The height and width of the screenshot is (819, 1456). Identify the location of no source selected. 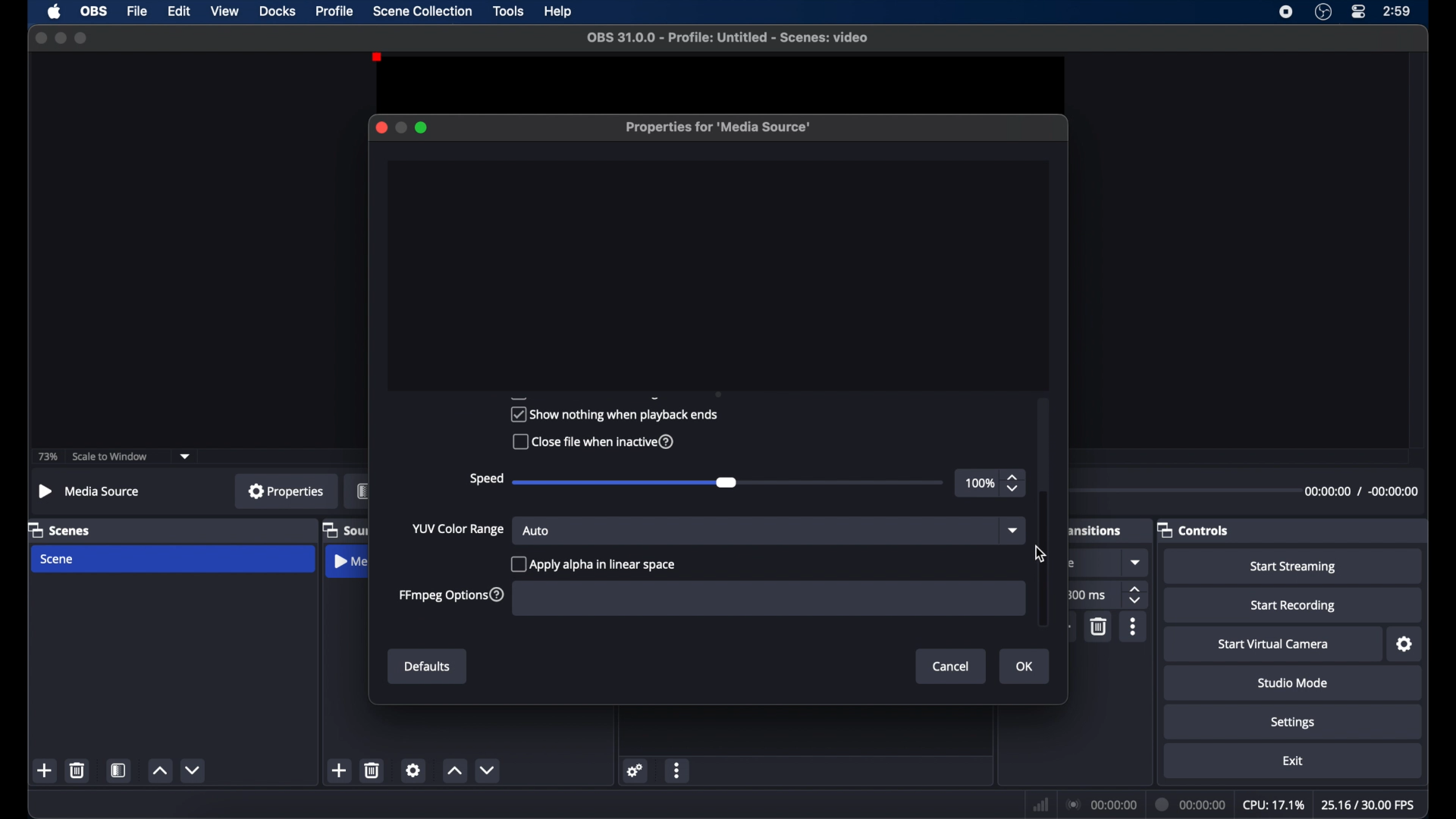
(93, 491).